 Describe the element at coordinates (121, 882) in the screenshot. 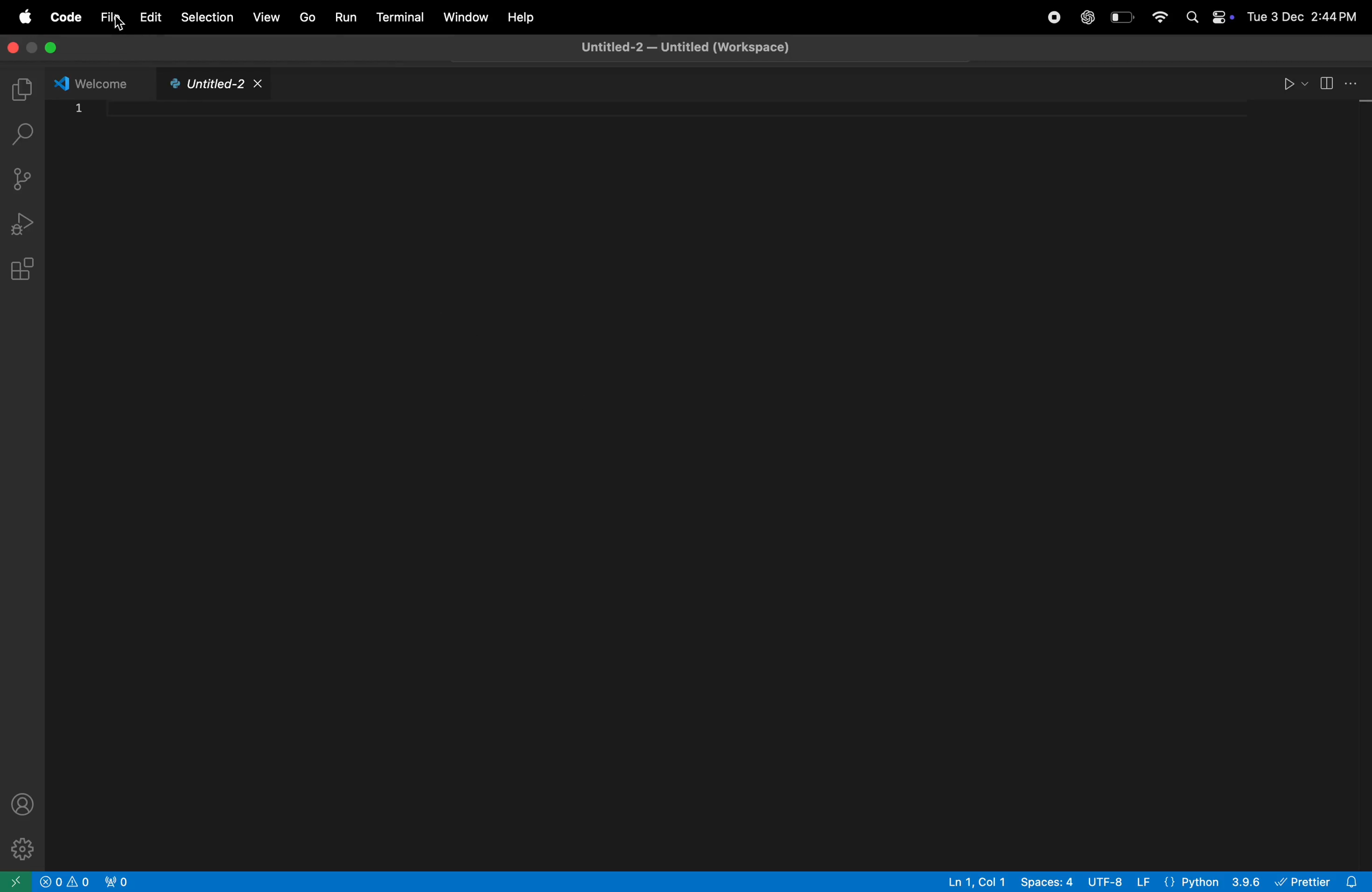

I see `no active ports` at that location.